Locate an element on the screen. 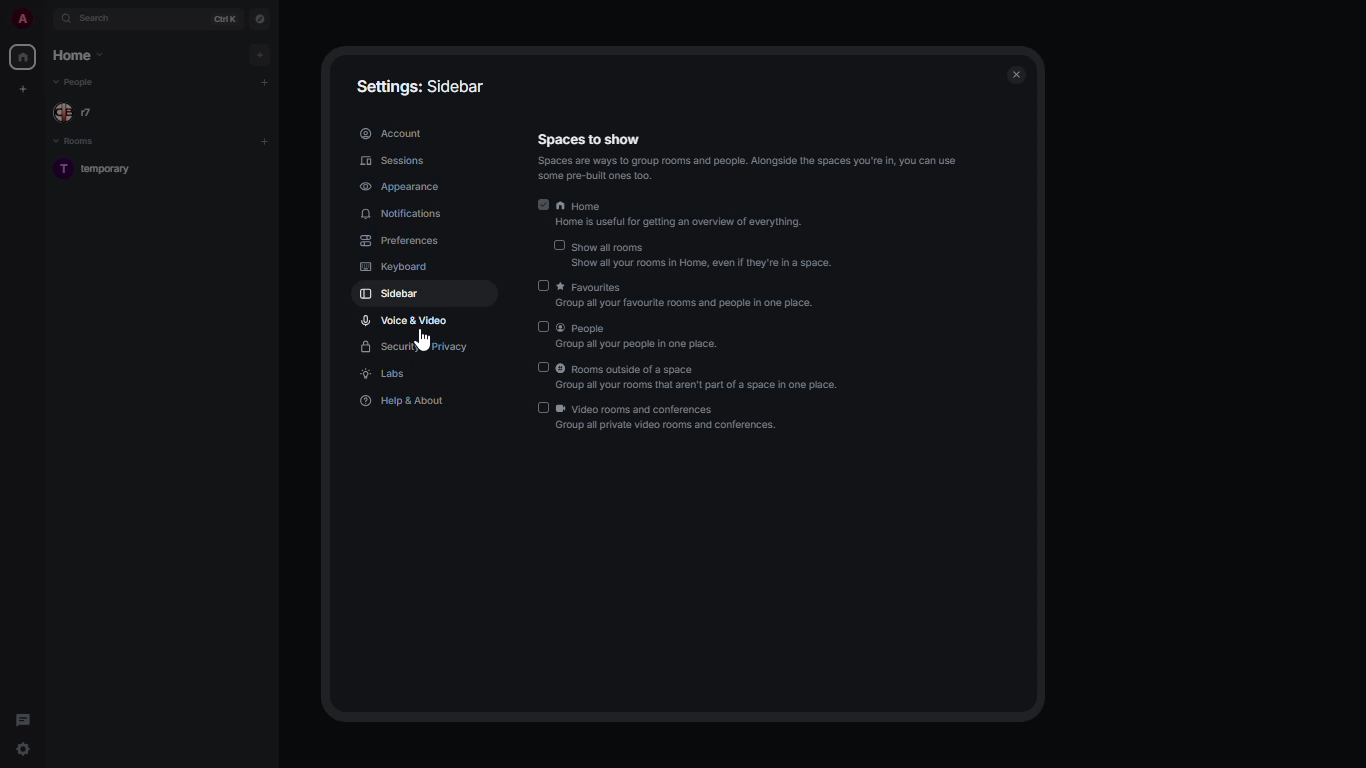 The height and width of the screenshot is (768, 1366). people is located at coordinates (78, 113).